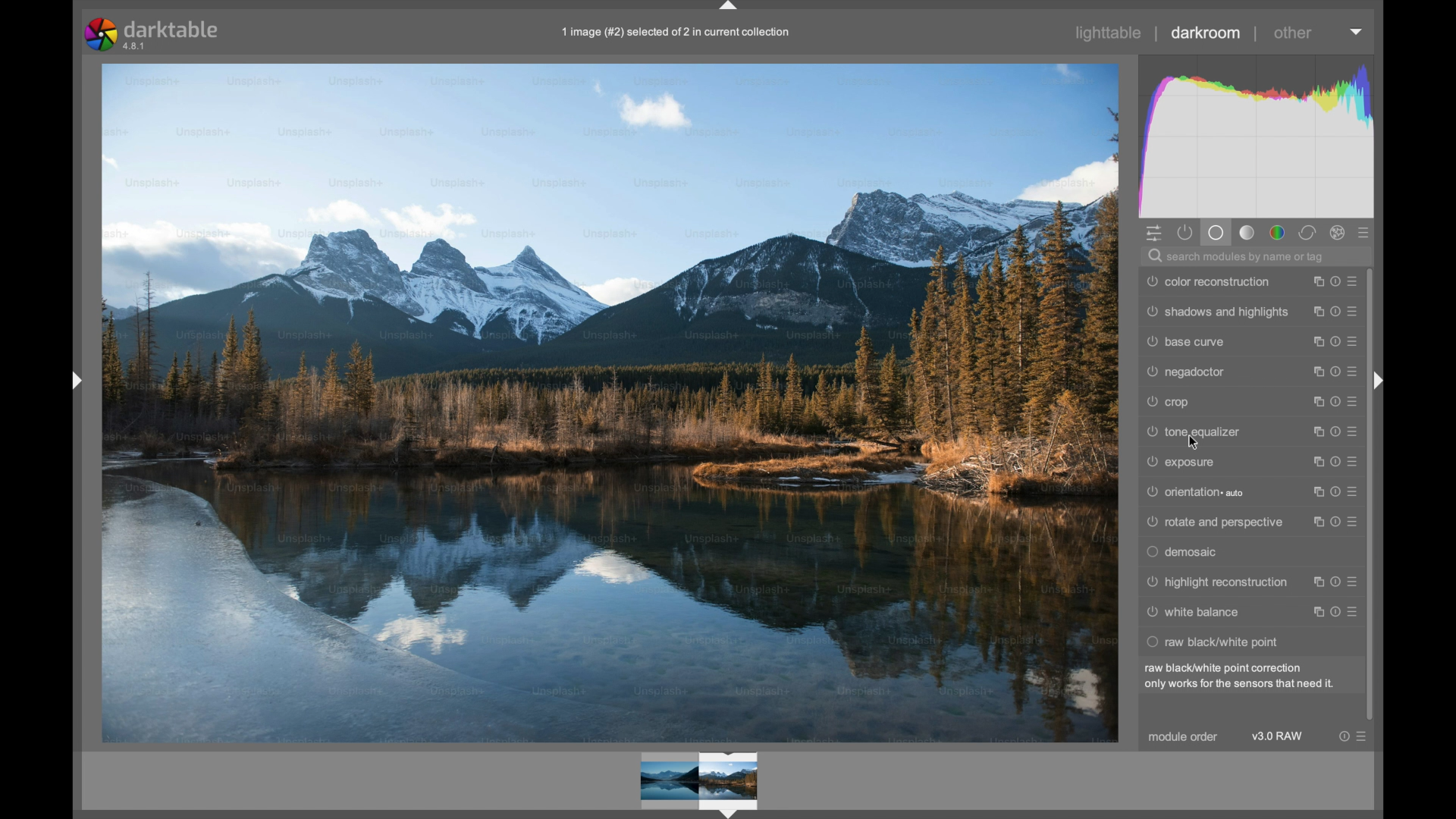  Describe the element at coordinates (1153, 234) in the screenshot. I see `show quick access panel` at that location.